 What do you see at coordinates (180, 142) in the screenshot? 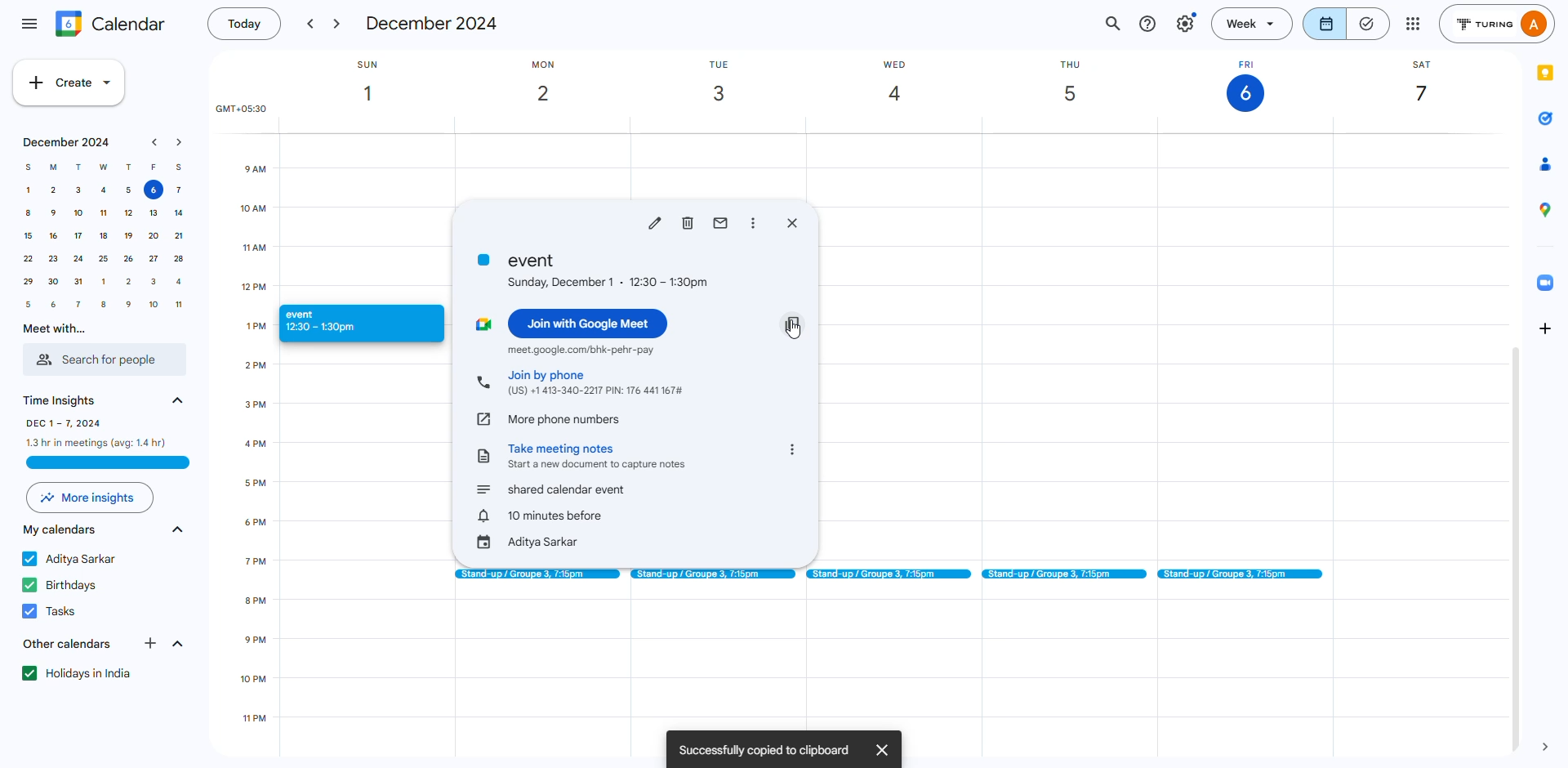
I see `next month` at bounding box center [180, 142].